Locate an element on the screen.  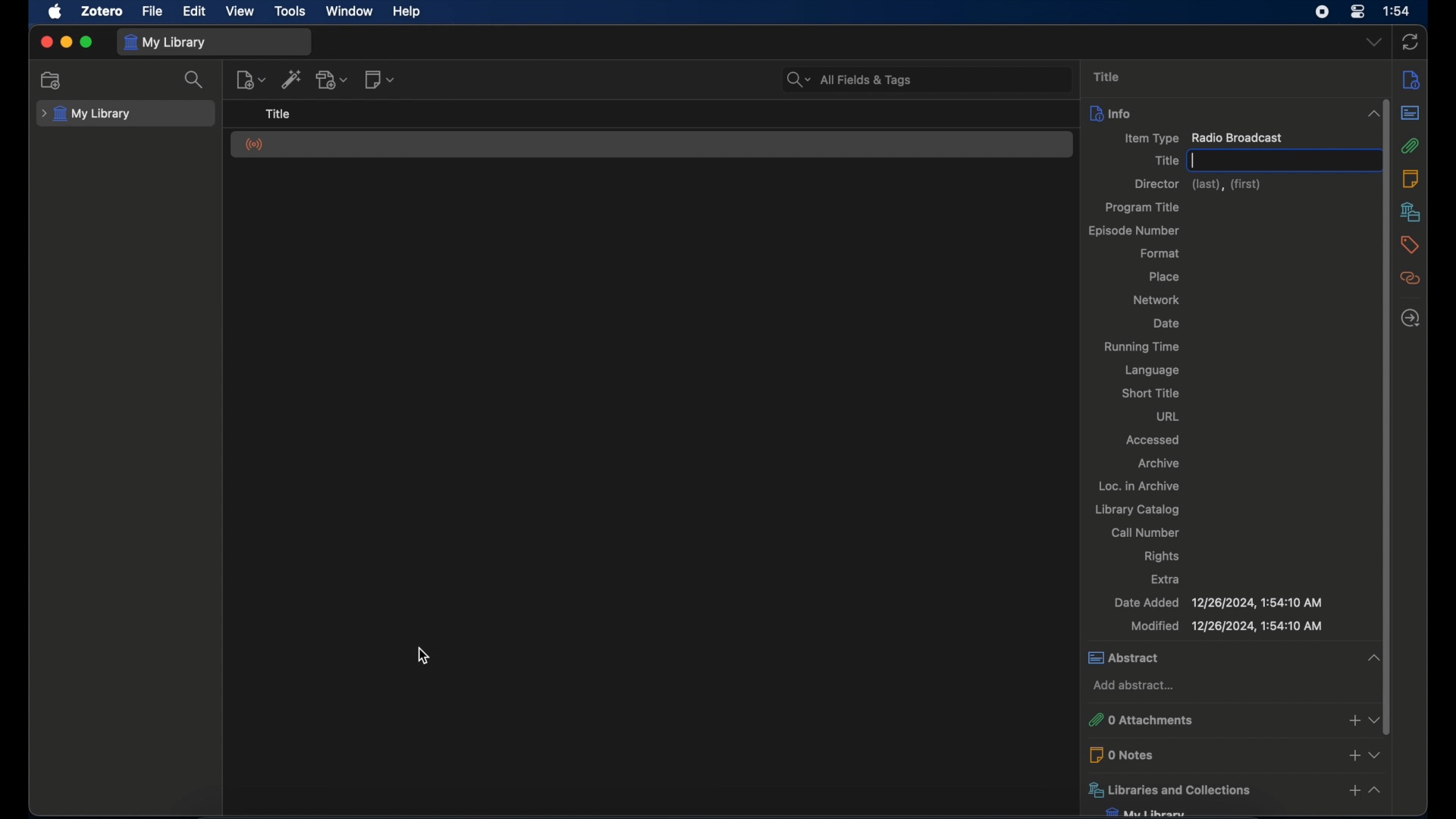
tags is located at coordinates (1410, 243).